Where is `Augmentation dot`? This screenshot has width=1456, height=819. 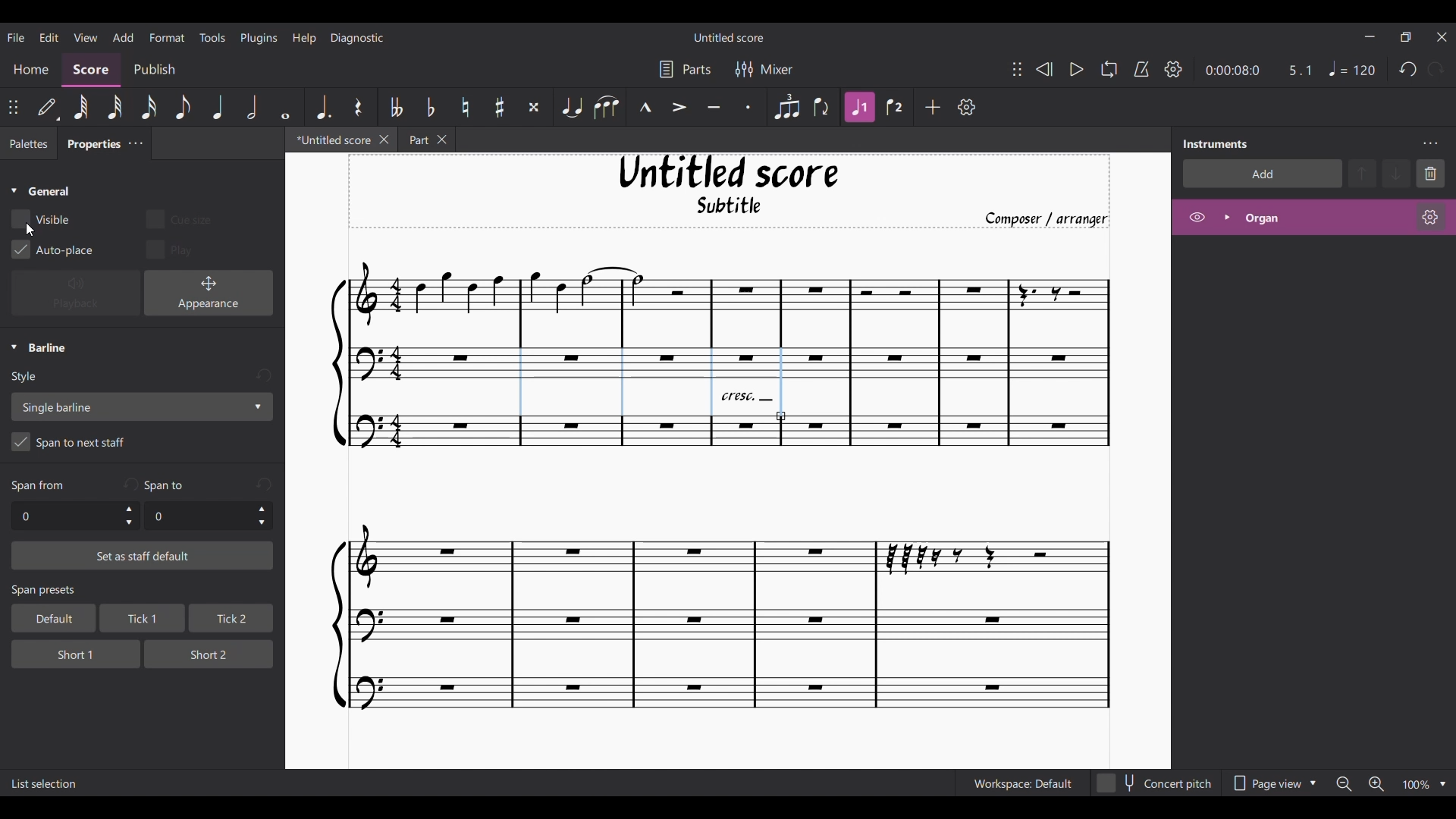
Augmentation dot is located at coordinates (322, 106).